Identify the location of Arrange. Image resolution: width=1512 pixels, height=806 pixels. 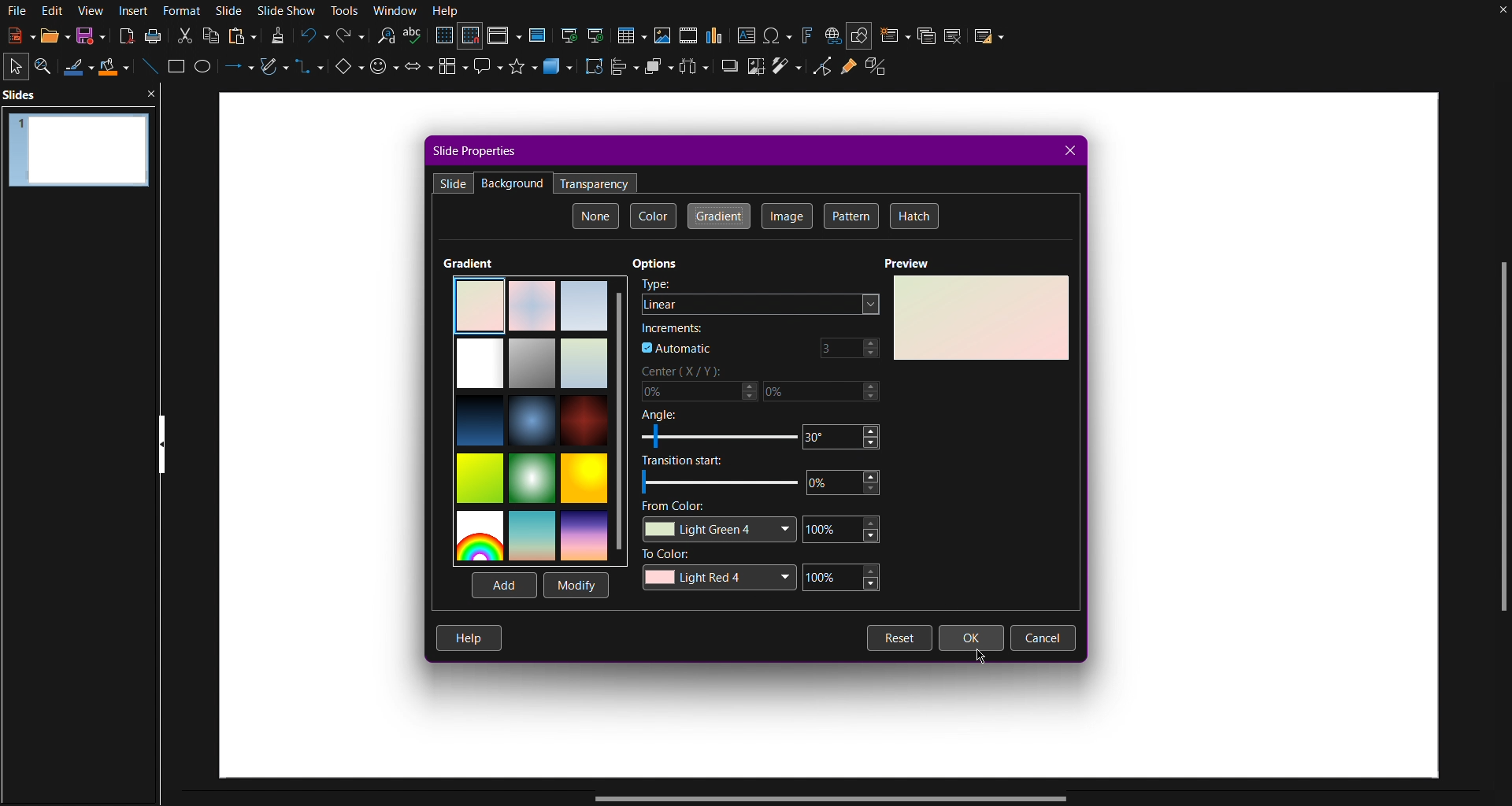
(659, 70).